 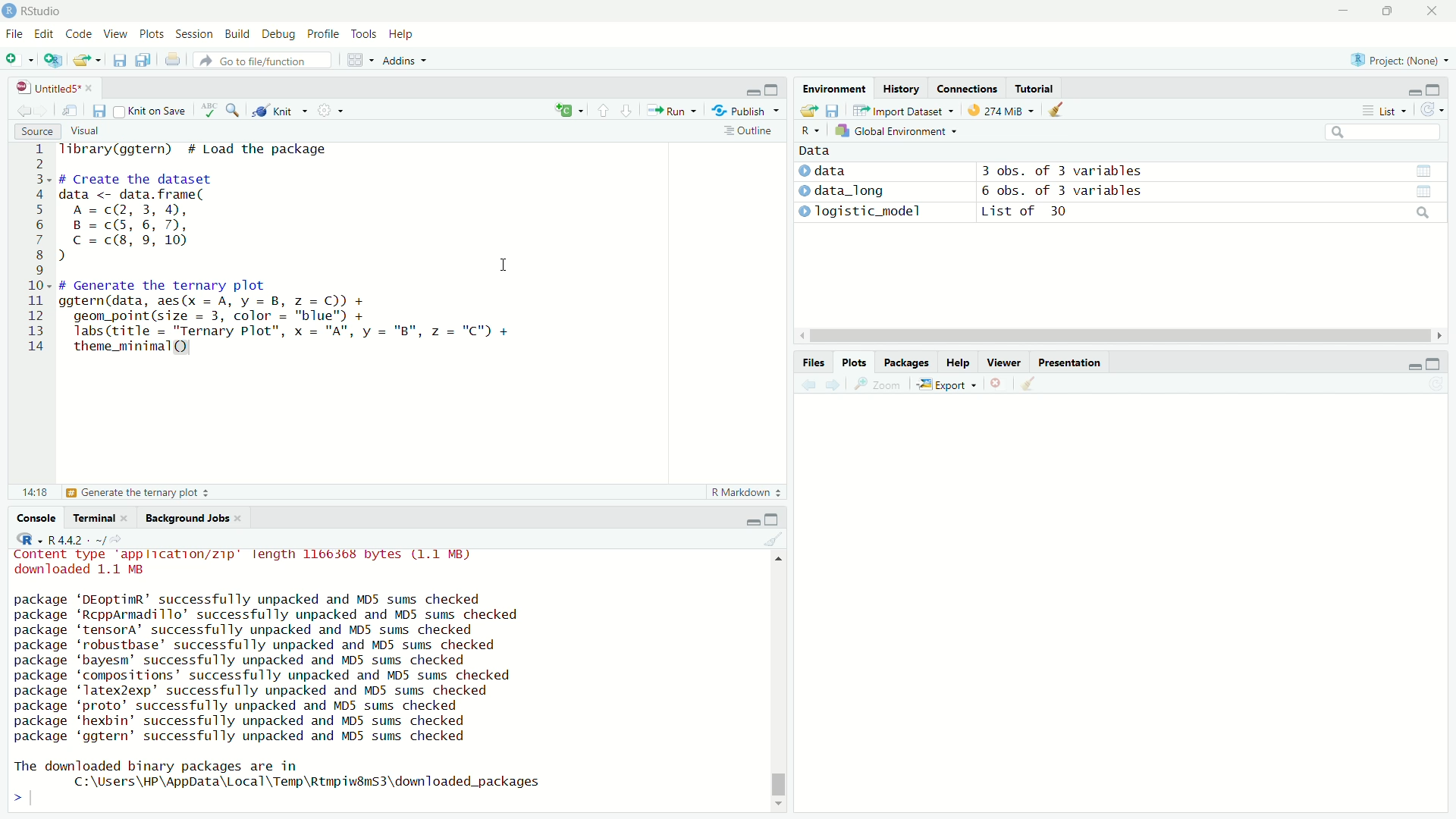 I want to click on view, so click(x=1422, y=170).